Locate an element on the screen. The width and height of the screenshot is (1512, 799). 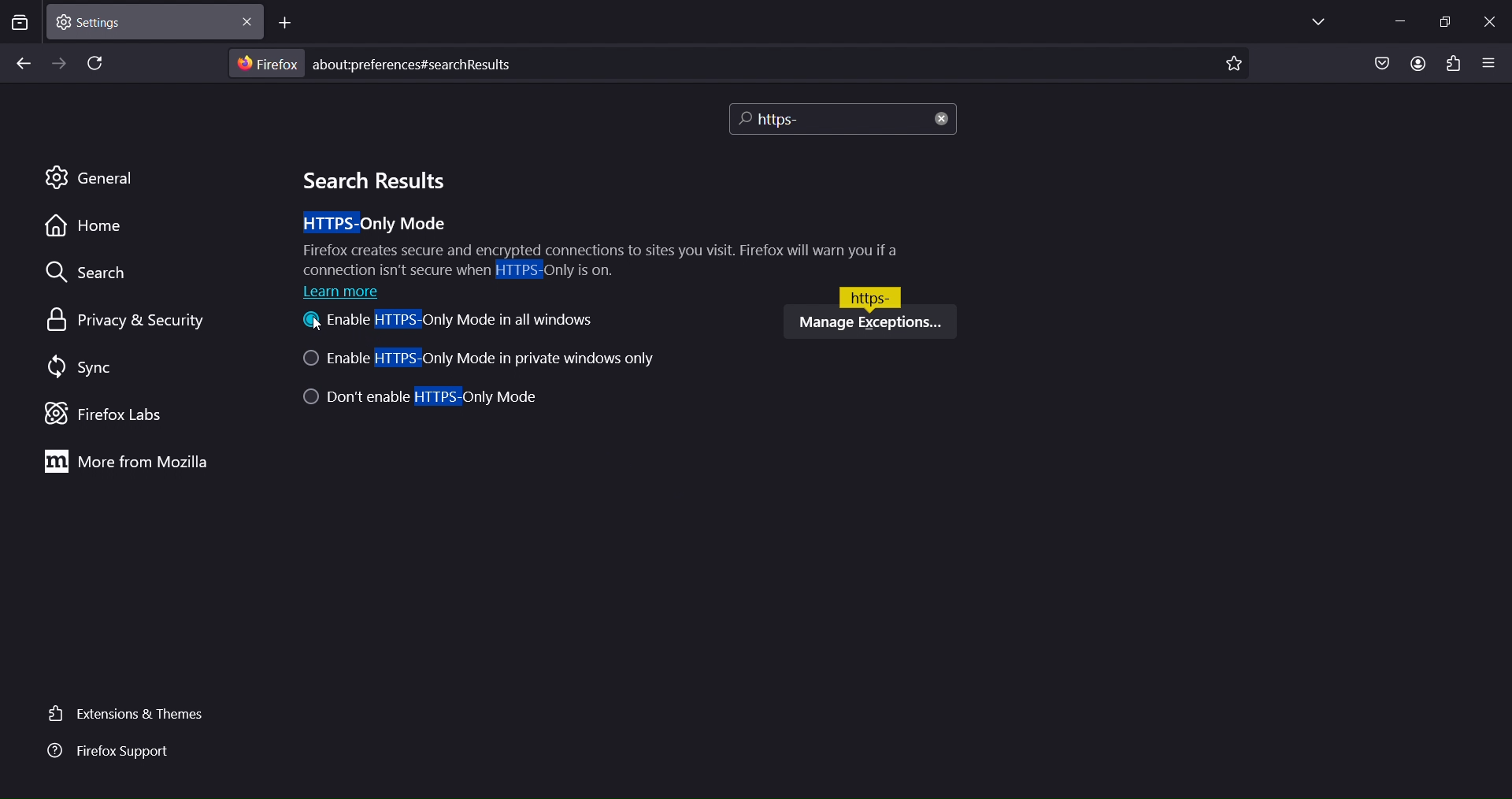
reload page is located at coordinates (91, 61).